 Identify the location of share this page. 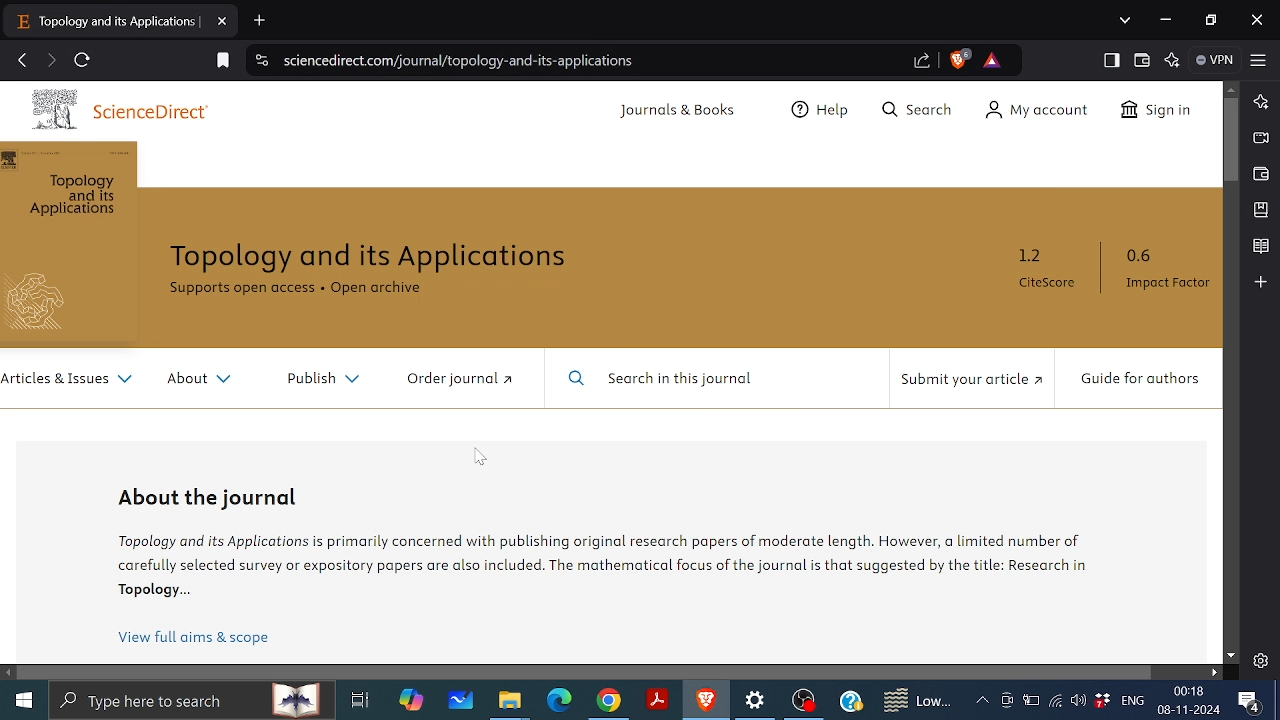
(924, 61).